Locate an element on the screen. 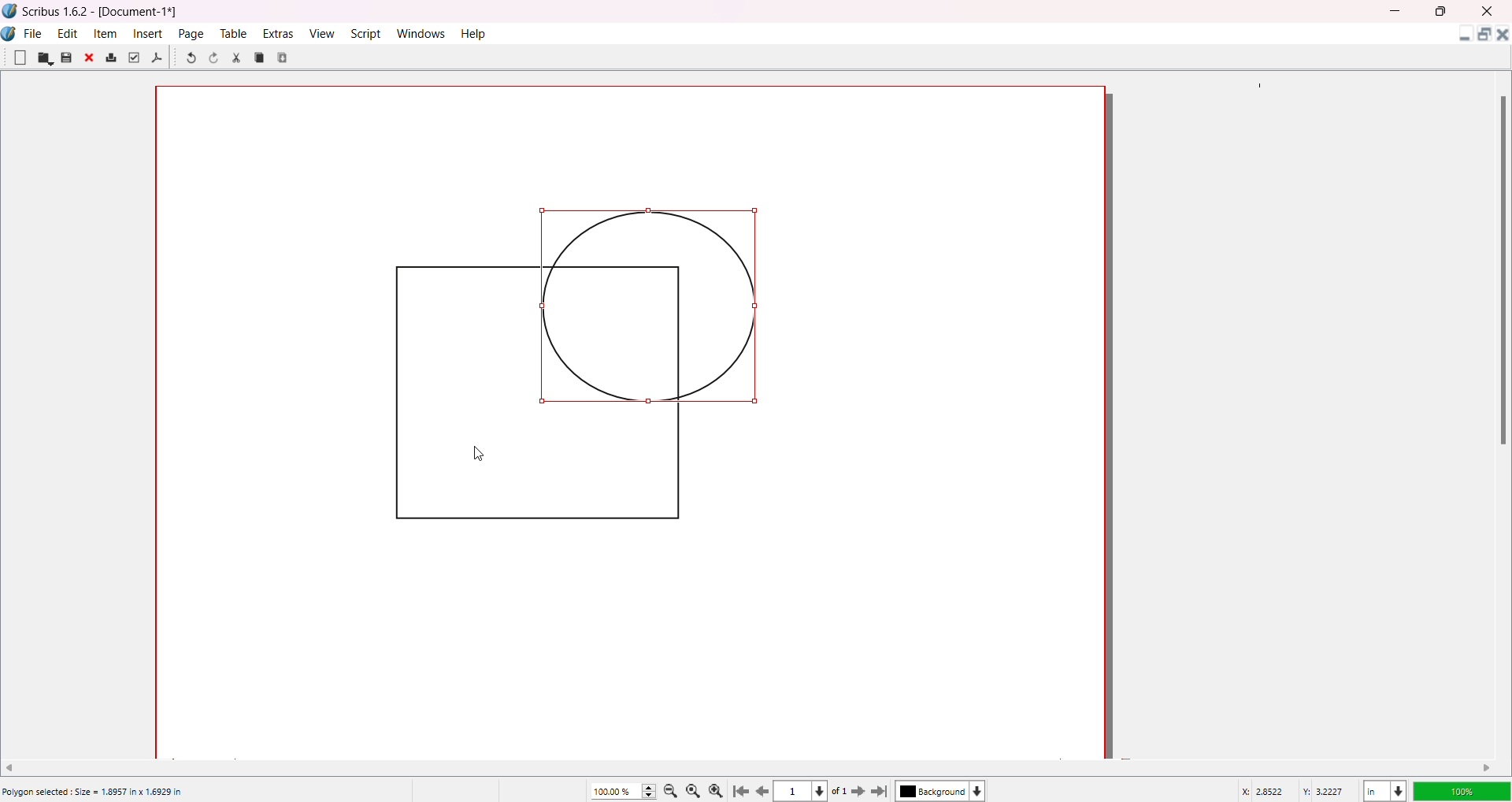  Minimize Document is located at coordinates (1461, 37).